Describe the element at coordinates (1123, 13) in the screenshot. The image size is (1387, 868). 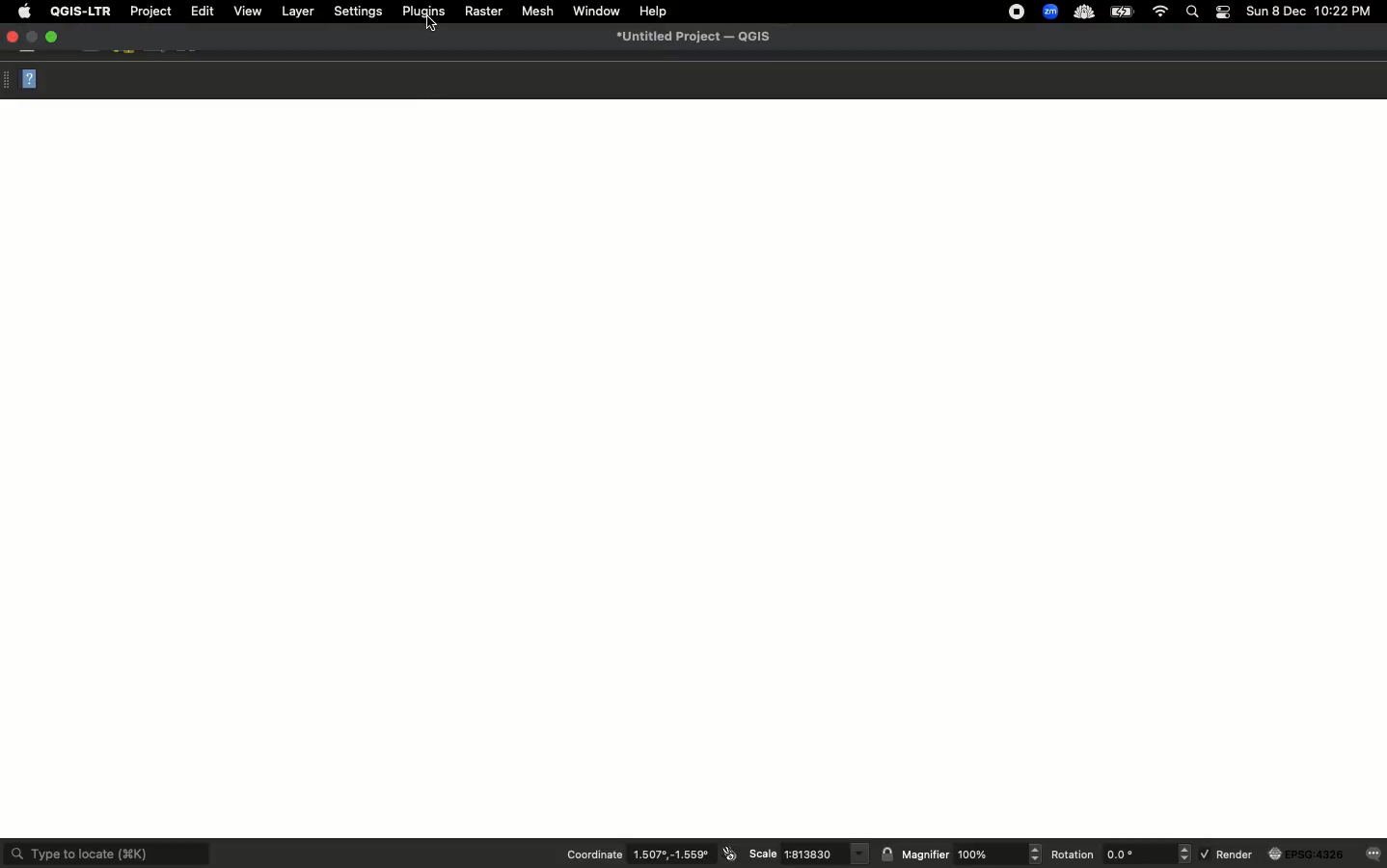
I see `Charge` at that location.